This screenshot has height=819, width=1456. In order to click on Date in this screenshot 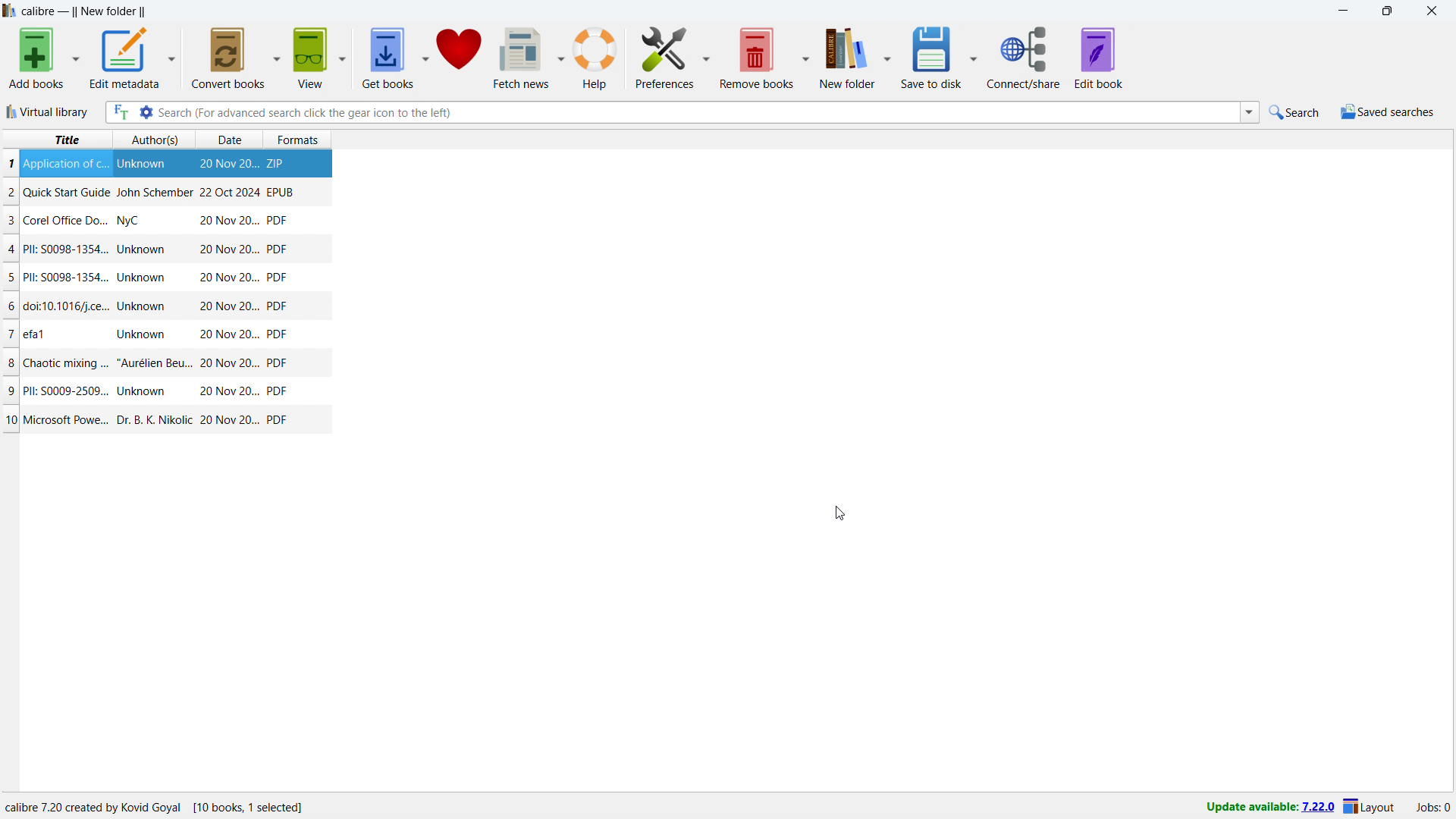, I will do `click(227, 192)`.